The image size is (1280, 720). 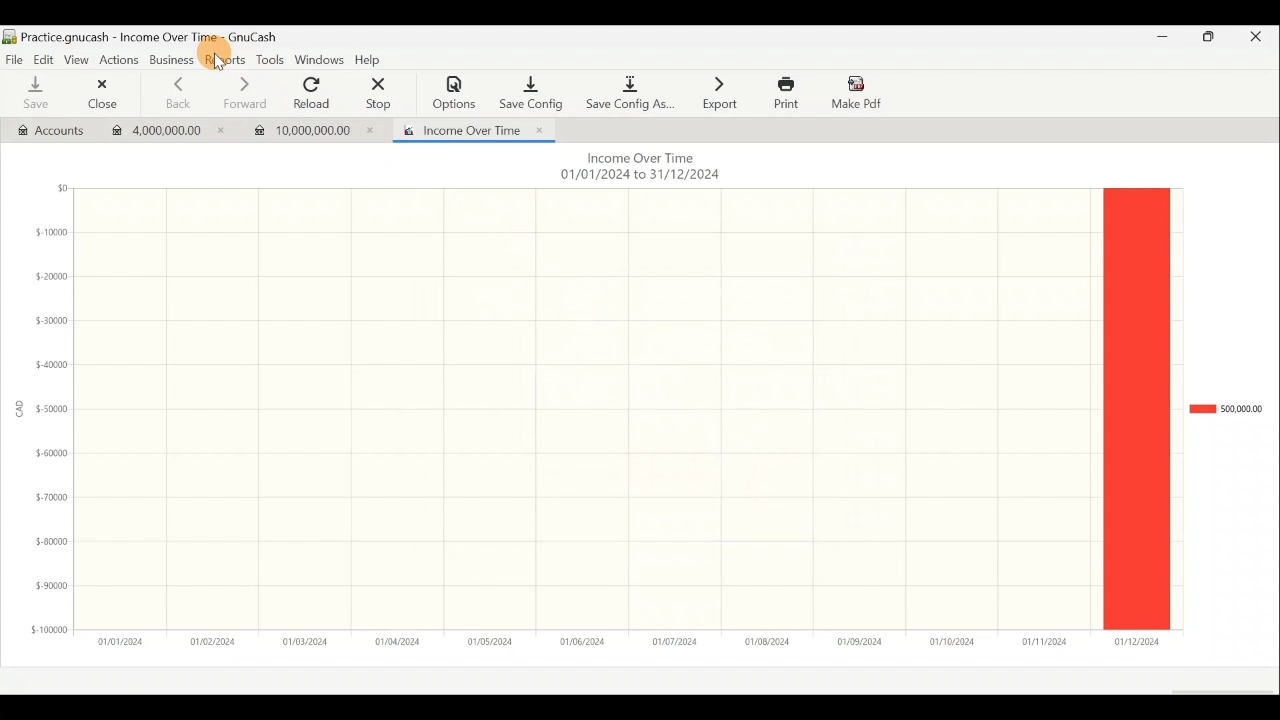 What do you see at coordinates (1225, 409) in the screenshot?
I see `Chart legend` at bounding box center [1225, 409].